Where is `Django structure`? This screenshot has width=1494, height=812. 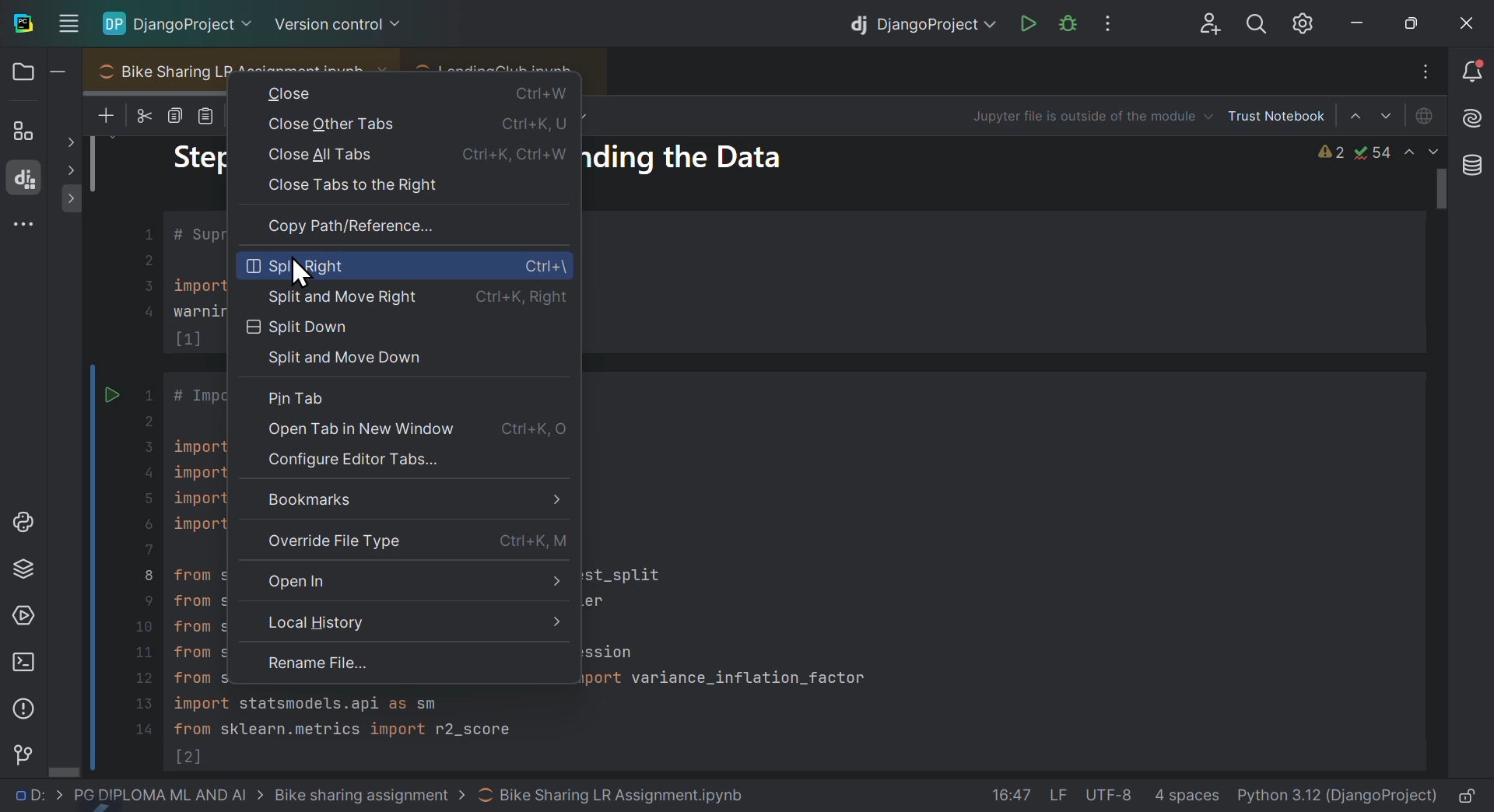 Django structure is located at coordinates (24, 179).